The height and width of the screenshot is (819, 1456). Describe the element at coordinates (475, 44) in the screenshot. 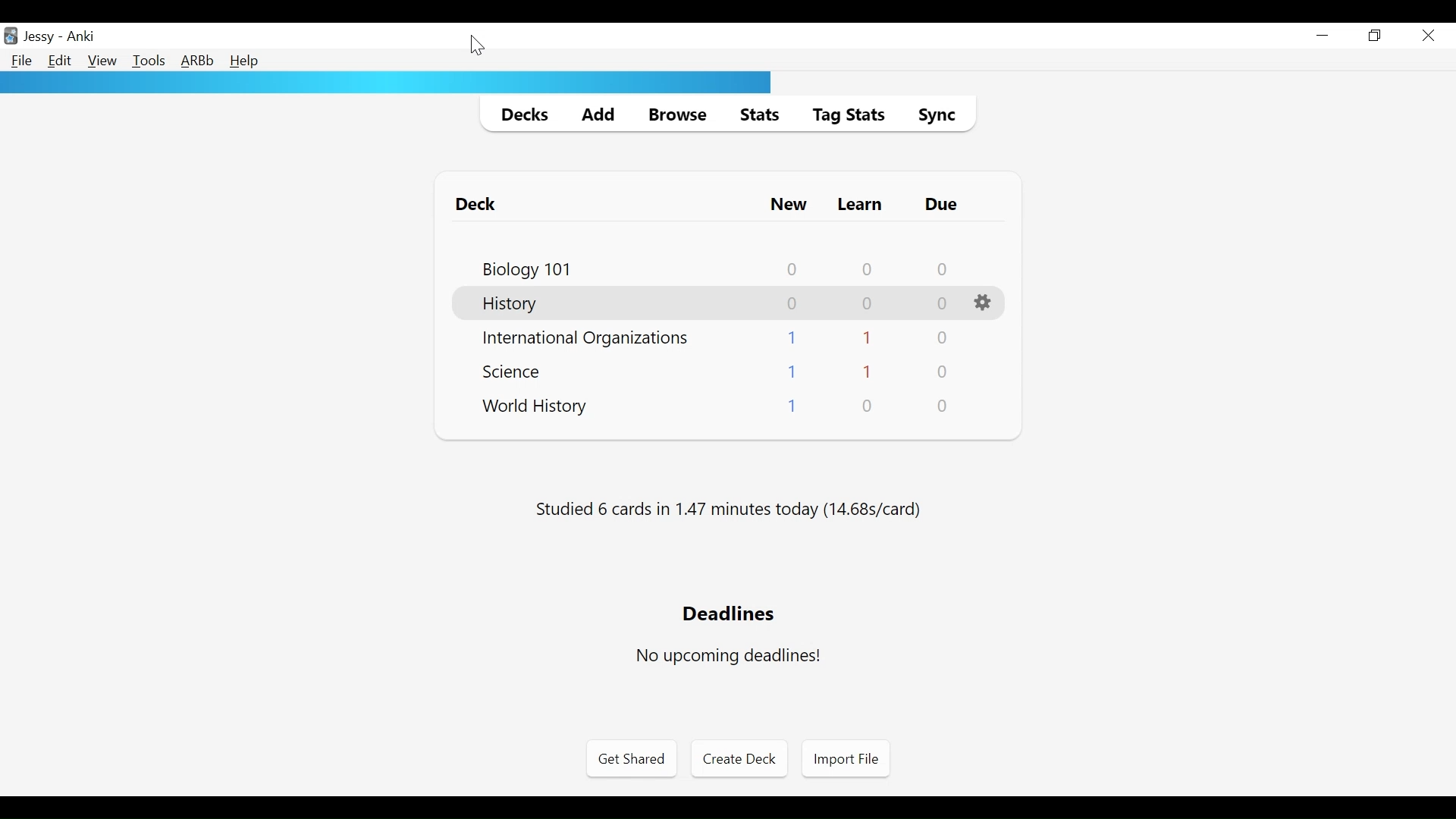

I see `Cursor` at that location.